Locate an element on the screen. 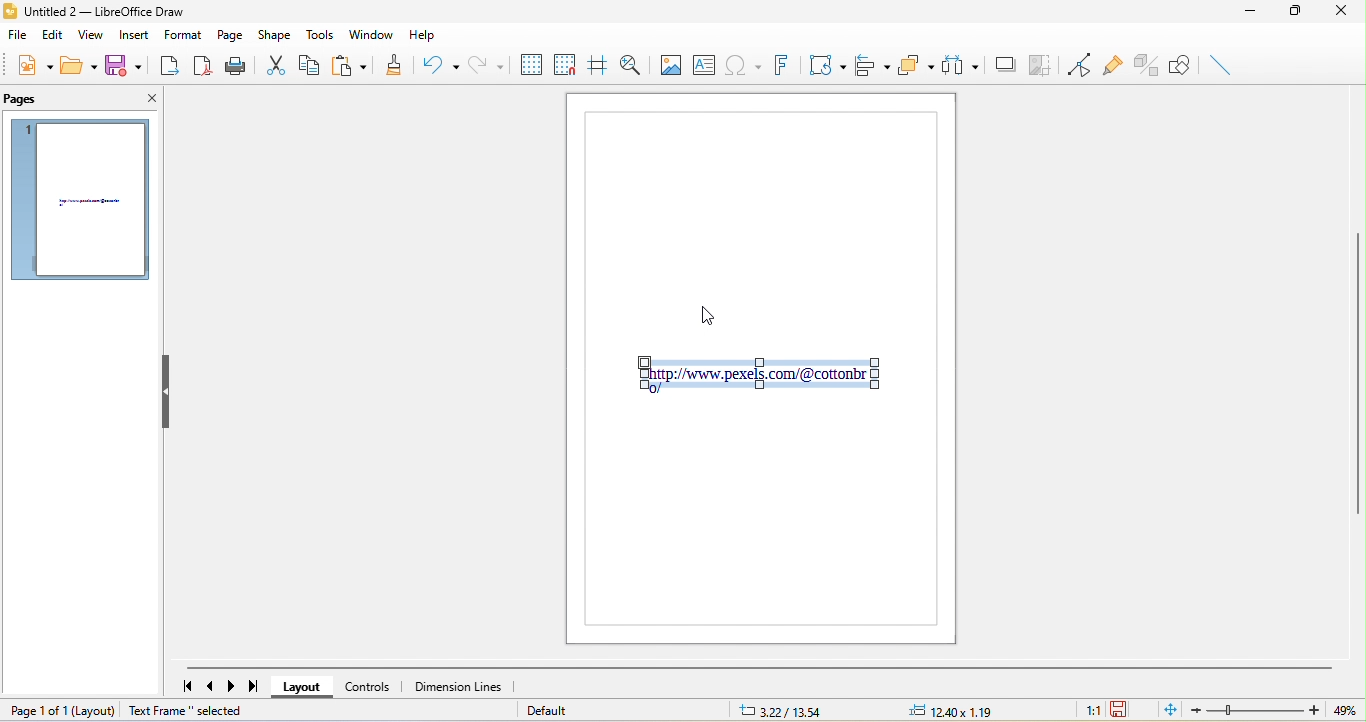  zoom and pan is located at coordinates (631, 62).